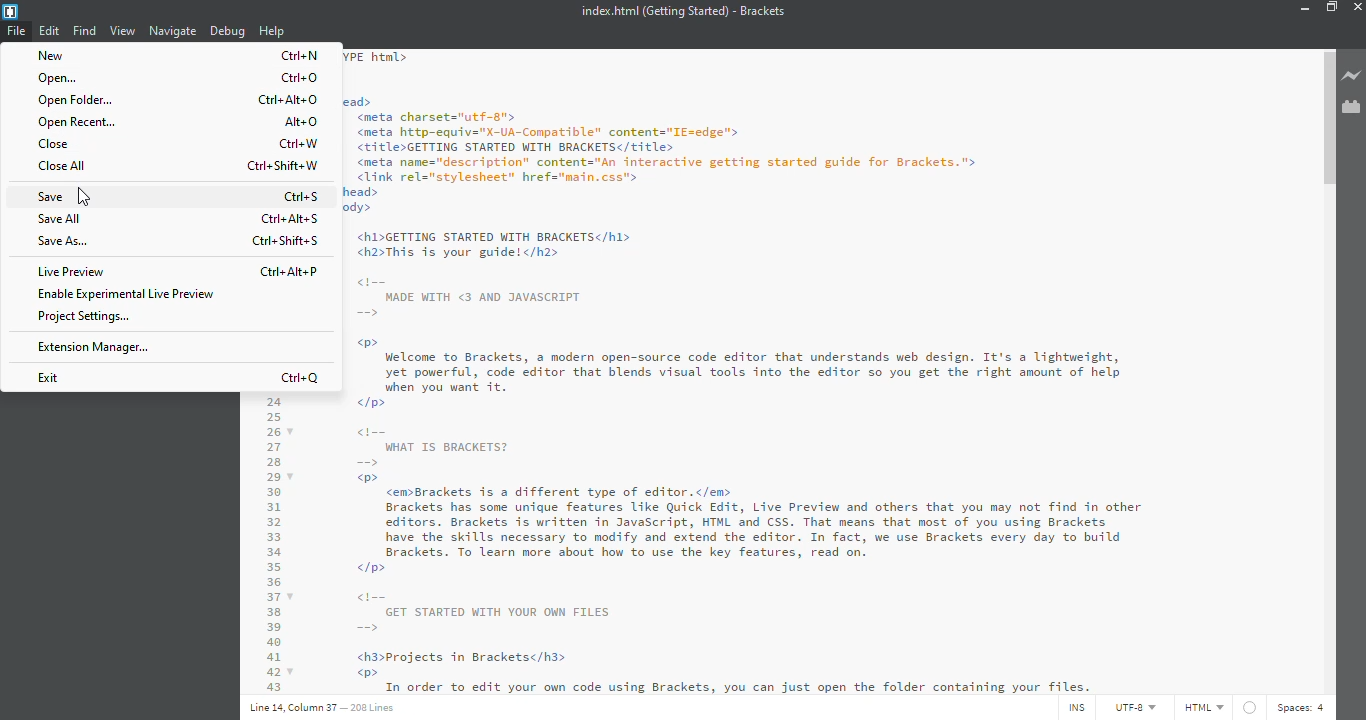 Image resolution: width=1366 pixels, height=720 pixels. What do you see at coordinates (173, 30) in the screenshot?
I see `navigate` at bounding box center [173, 30].